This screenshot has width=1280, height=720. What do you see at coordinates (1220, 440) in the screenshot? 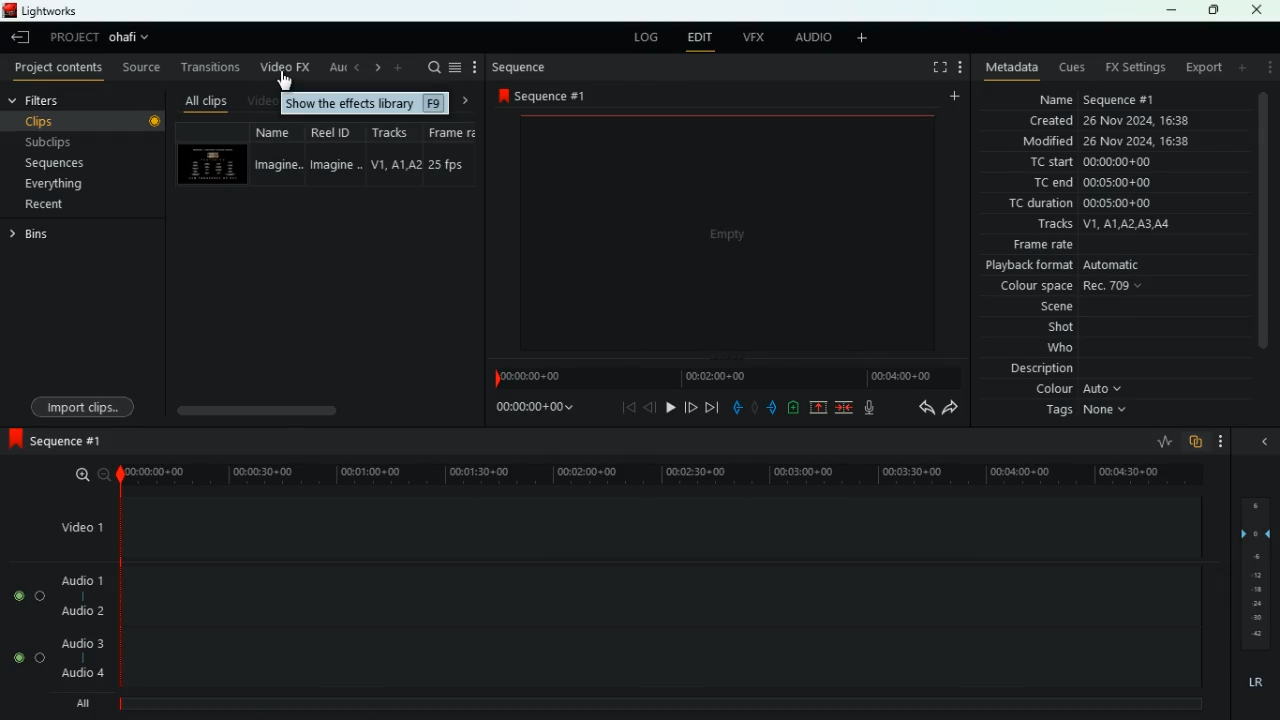
I see `more` at bounding box center [1220, 440].